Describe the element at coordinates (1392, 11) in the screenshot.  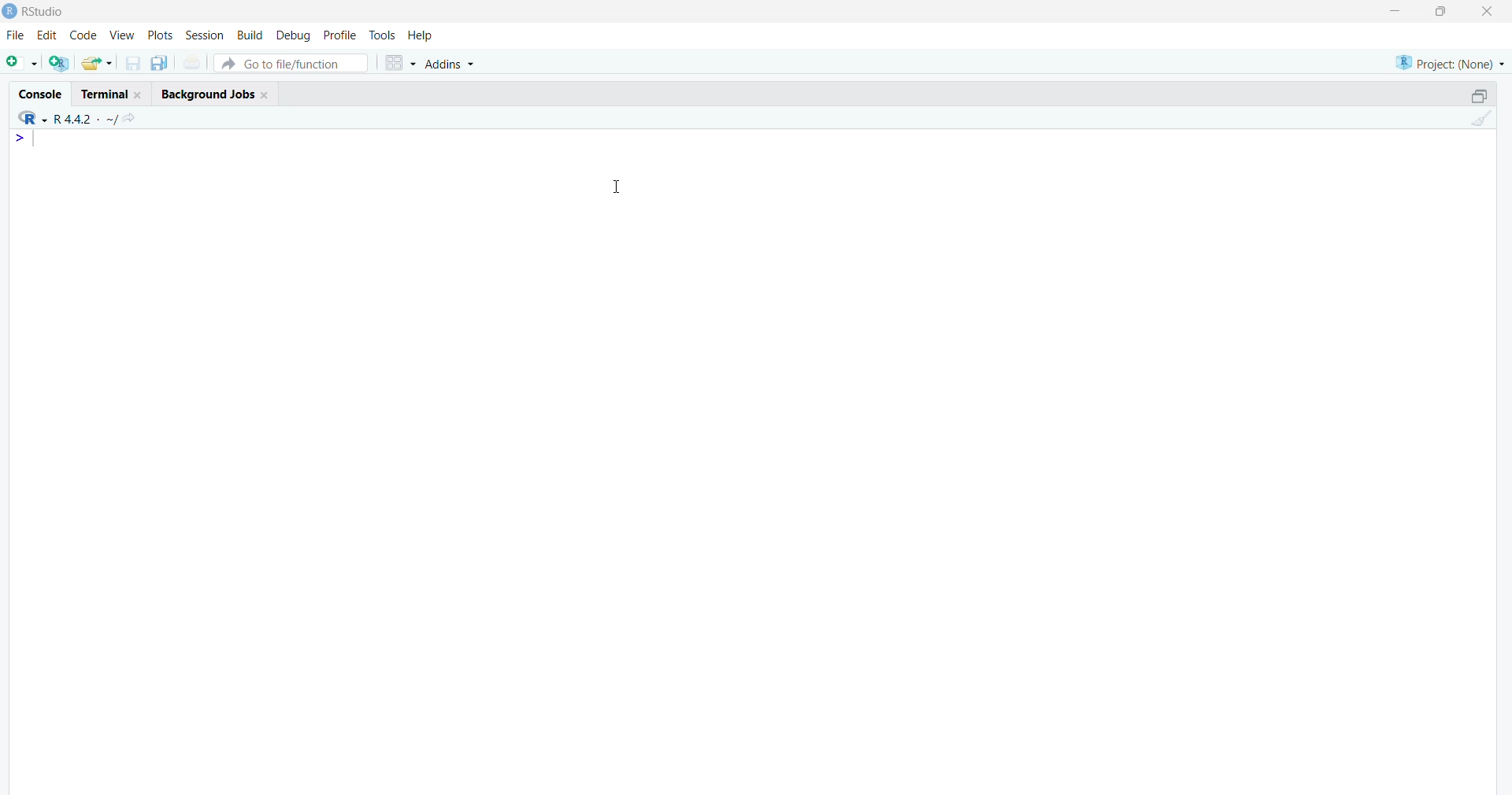
I see `minimize` at that location.